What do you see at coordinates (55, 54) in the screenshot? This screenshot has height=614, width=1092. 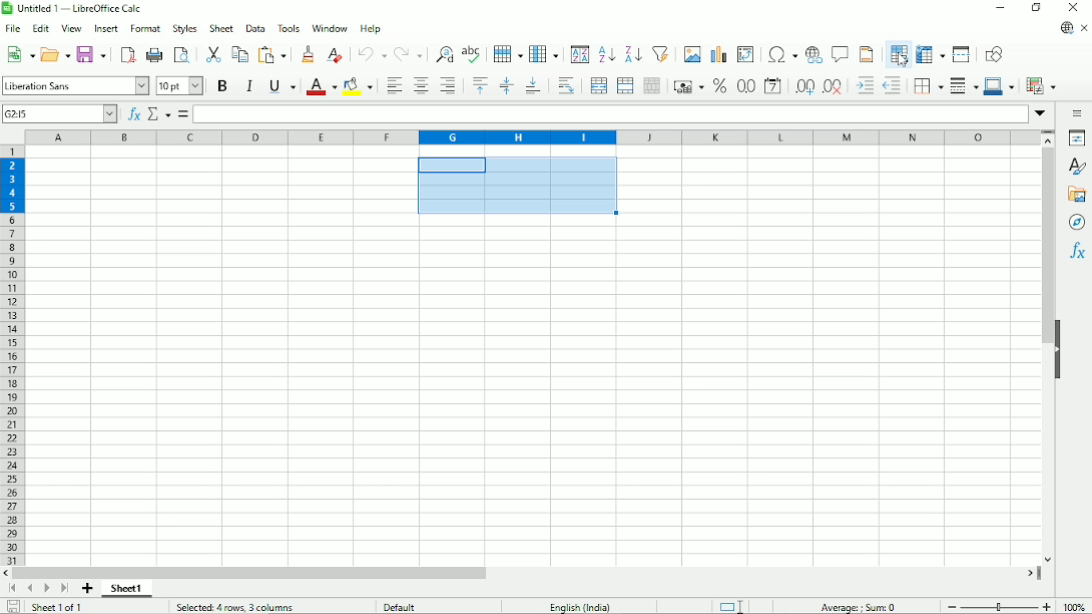 I see `Open` at bounding box center [55, 54].